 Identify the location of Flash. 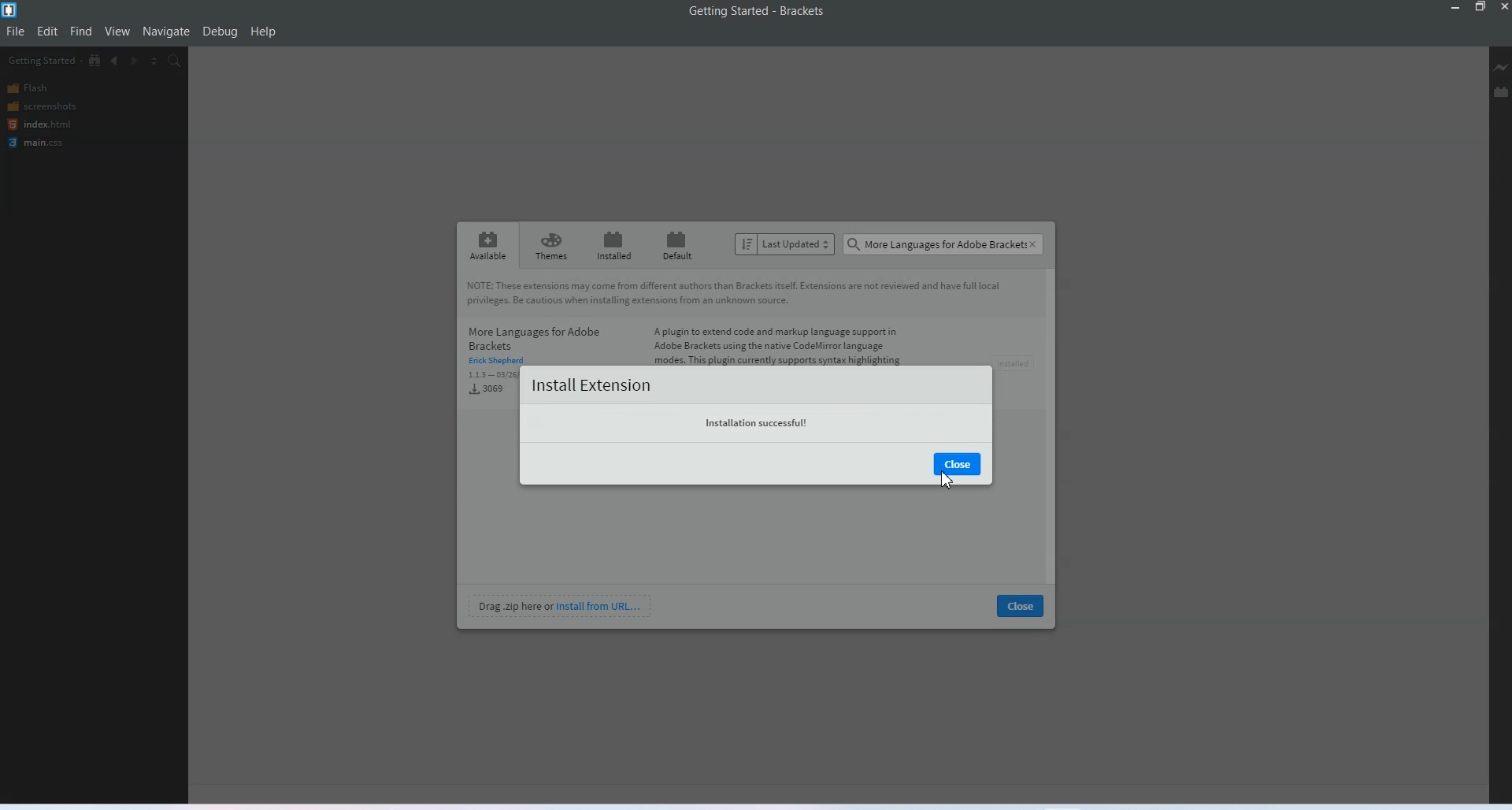
(53, 88).